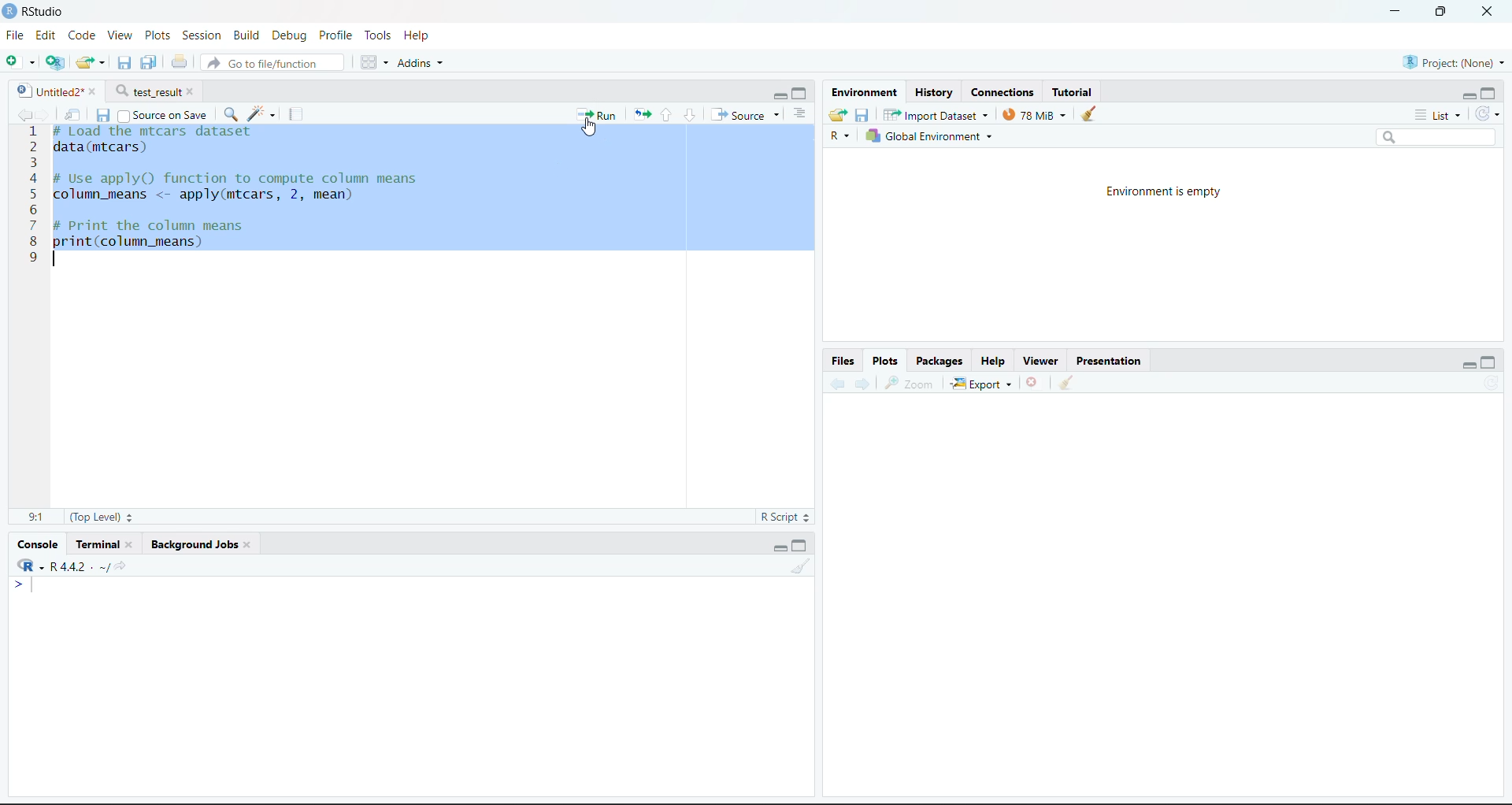 This screenshot has width=1512, height=805. What do you see at coordinates (1440, 139) in the screenshot?
I see `Search bar` at bounding box center [1440, 139].